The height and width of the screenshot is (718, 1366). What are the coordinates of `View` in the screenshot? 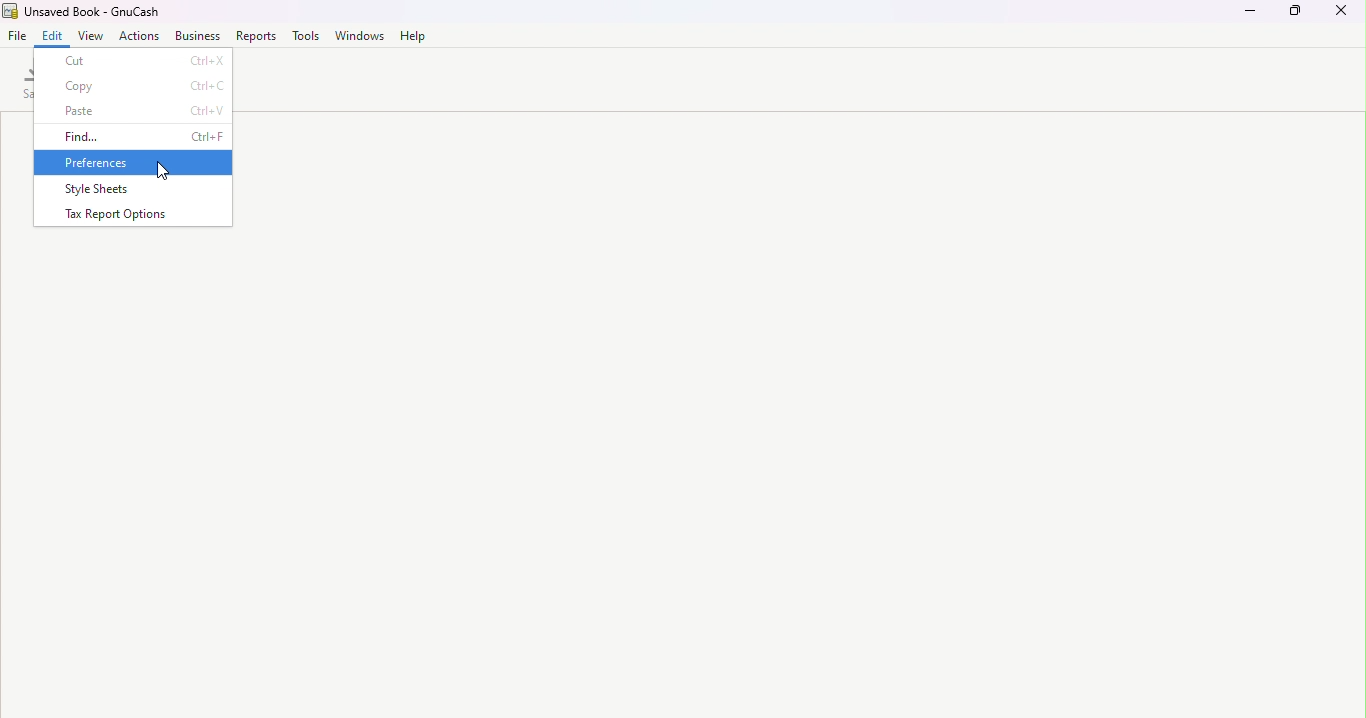 It's located at (92, 36).